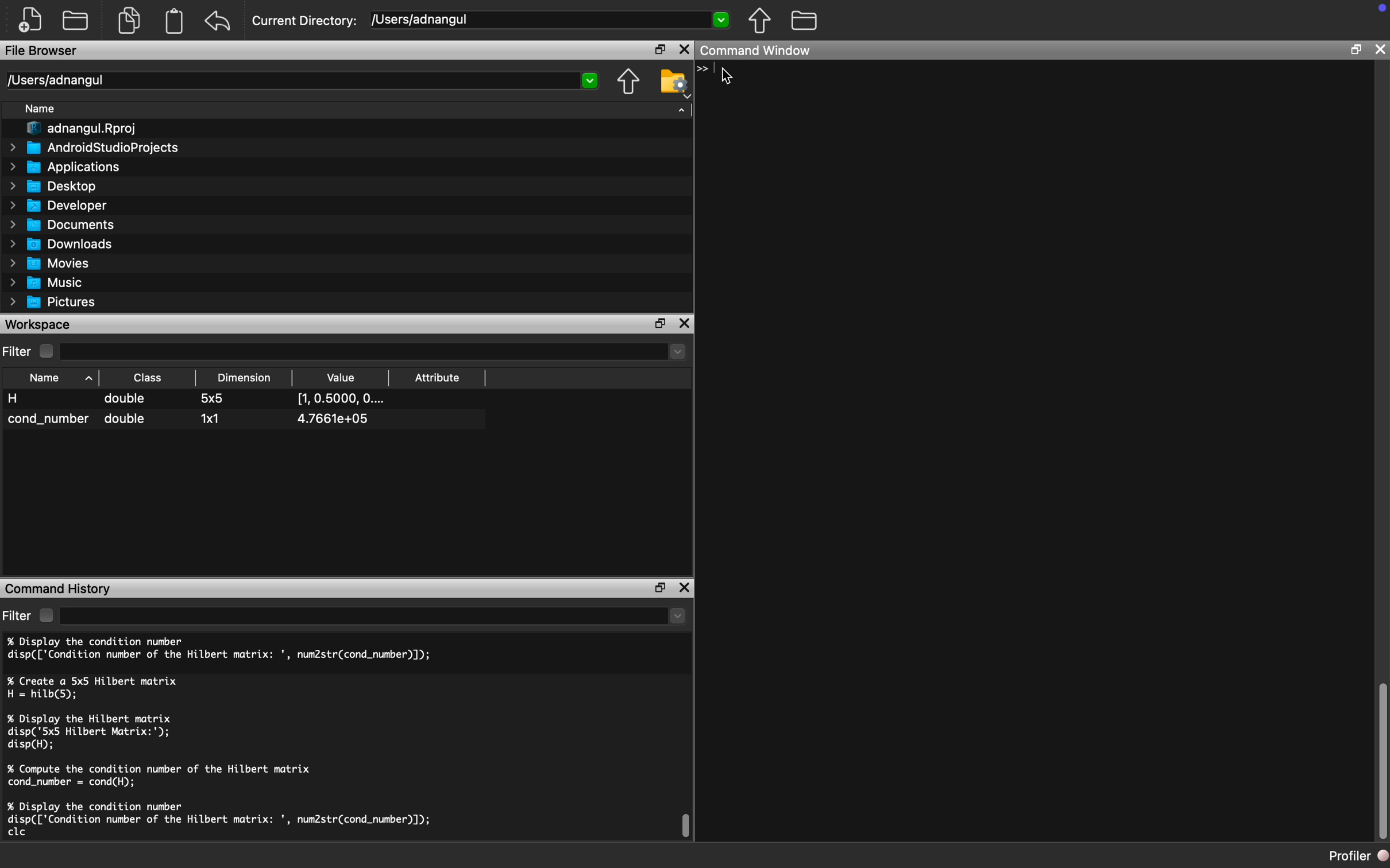 This screenshot has width=1390, height=868. Describe the element at coordinates (709, 69) in the screenshot. I see `Typing Indicator` at that location.